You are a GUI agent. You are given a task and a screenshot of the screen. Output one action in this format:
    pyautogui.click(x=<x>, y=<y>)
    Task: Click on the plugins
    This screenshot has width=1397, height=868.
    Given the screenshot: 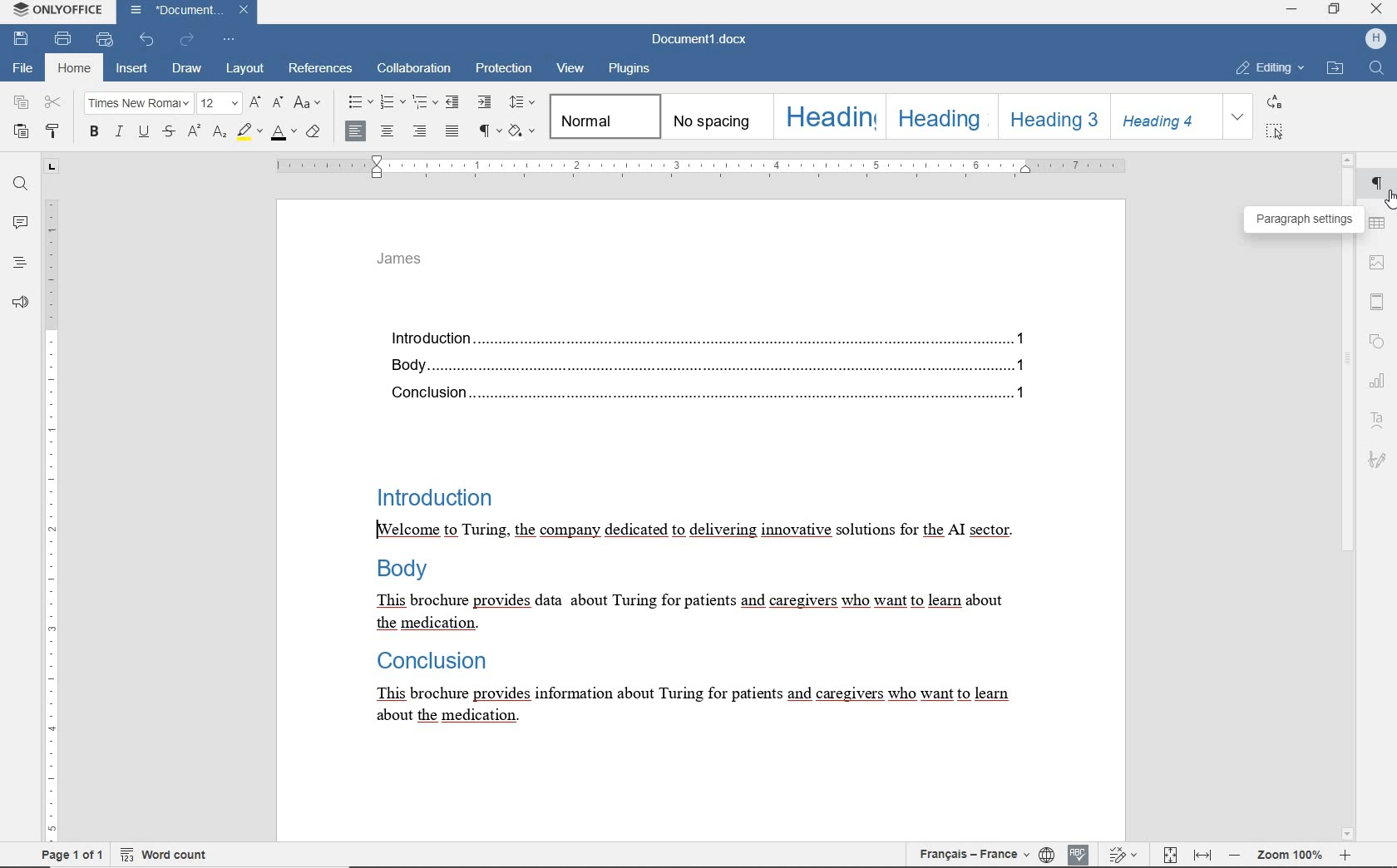 What is the action you would take?
    pyautogui.click(x=630, y=70)
    